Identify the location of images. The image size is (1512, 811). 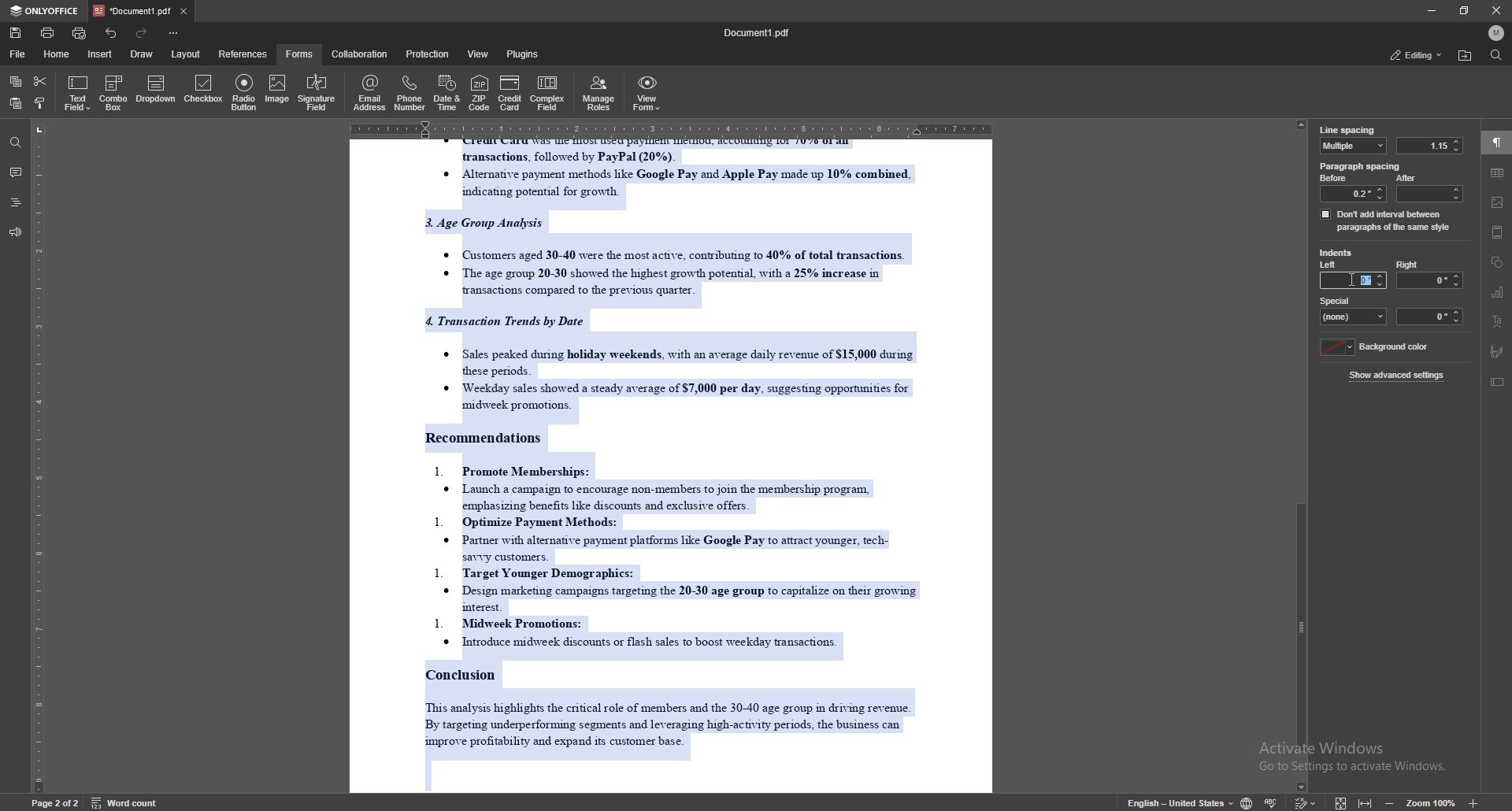
(1498, 202).